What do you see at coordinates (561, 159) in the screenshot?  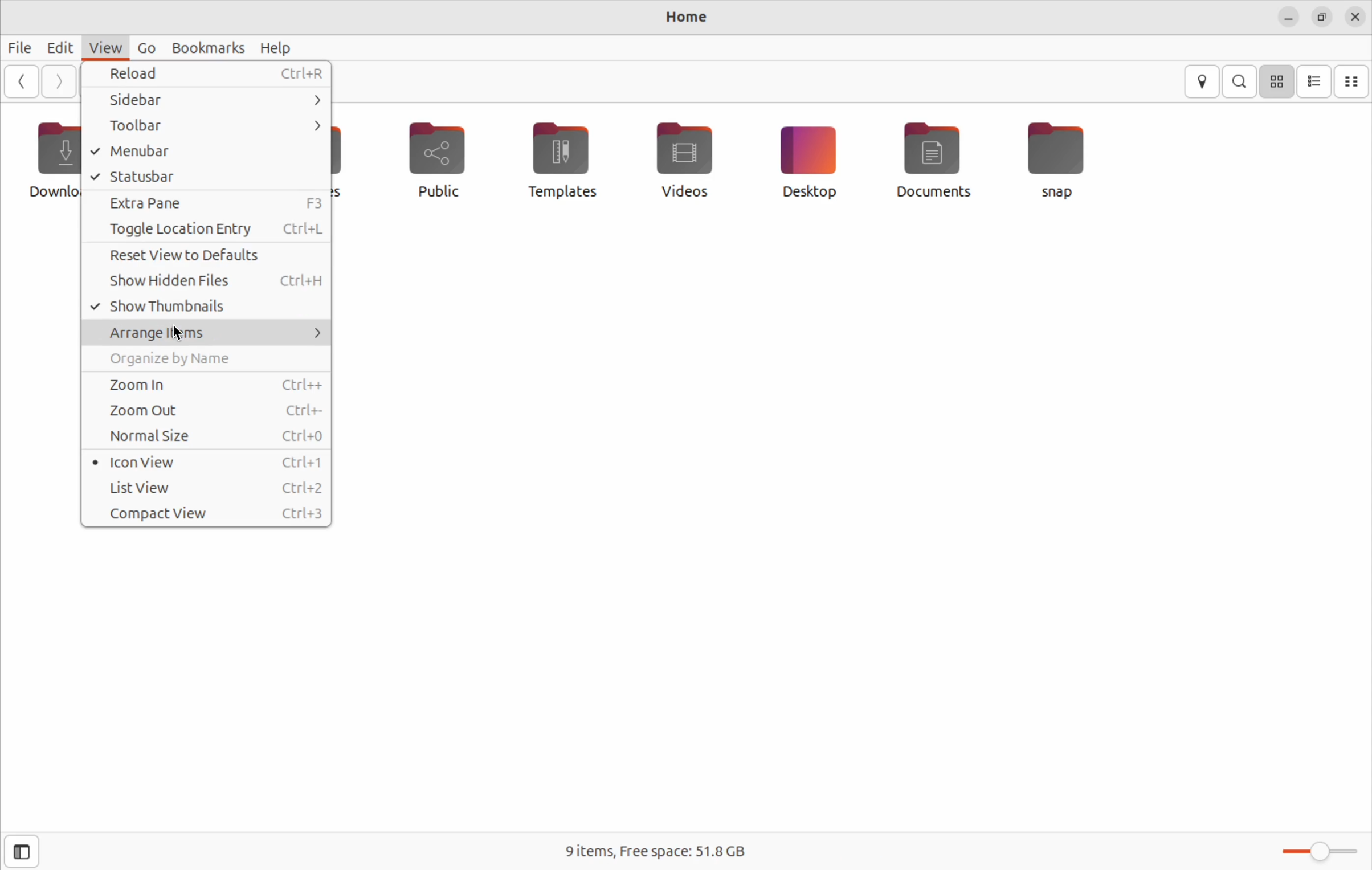 I see `templates` at bounding box center [561, 159].